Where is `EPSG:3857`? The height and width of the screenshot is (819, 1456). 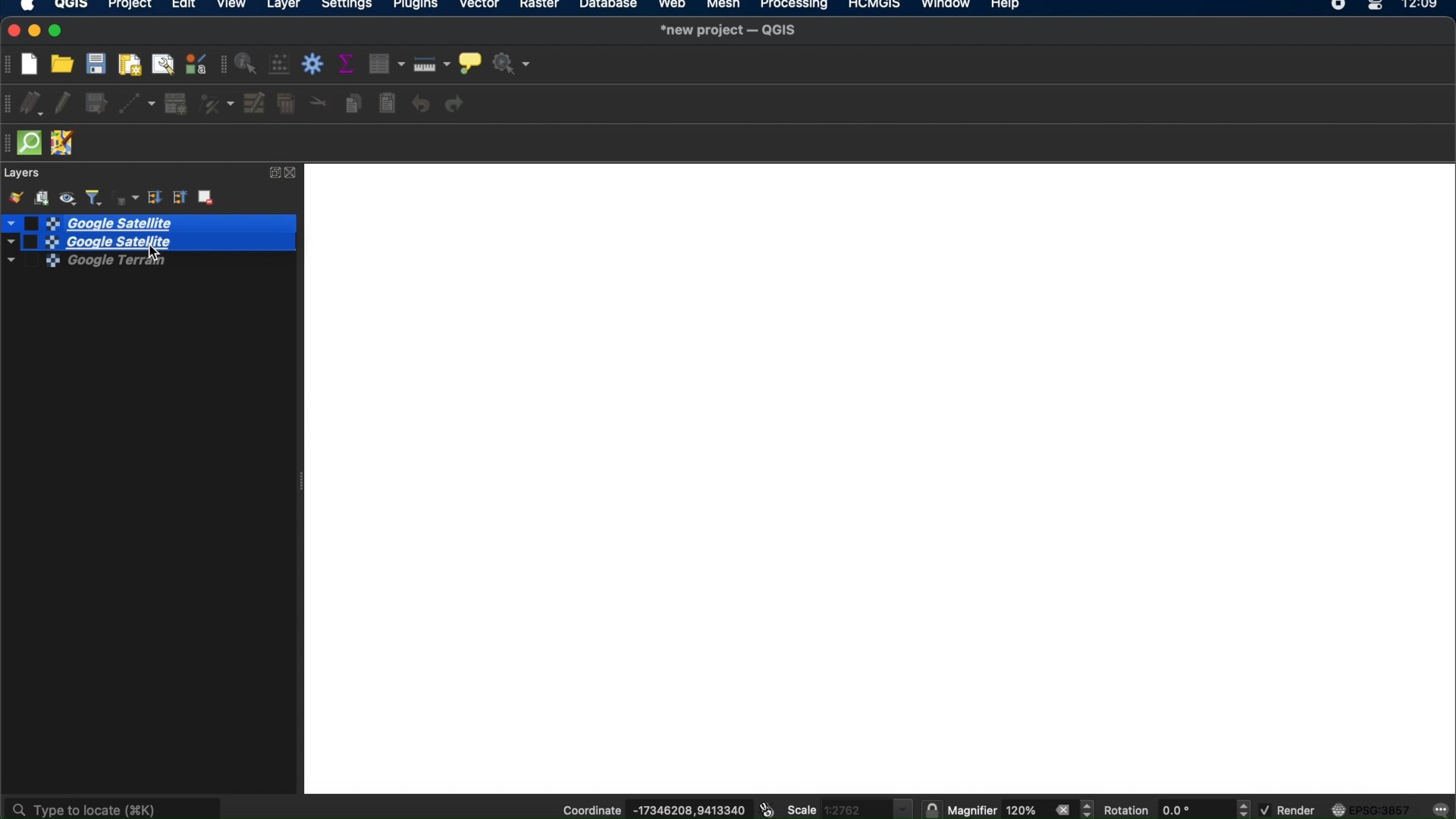 EPSG:3857 is located at coordinates (1374, 809).